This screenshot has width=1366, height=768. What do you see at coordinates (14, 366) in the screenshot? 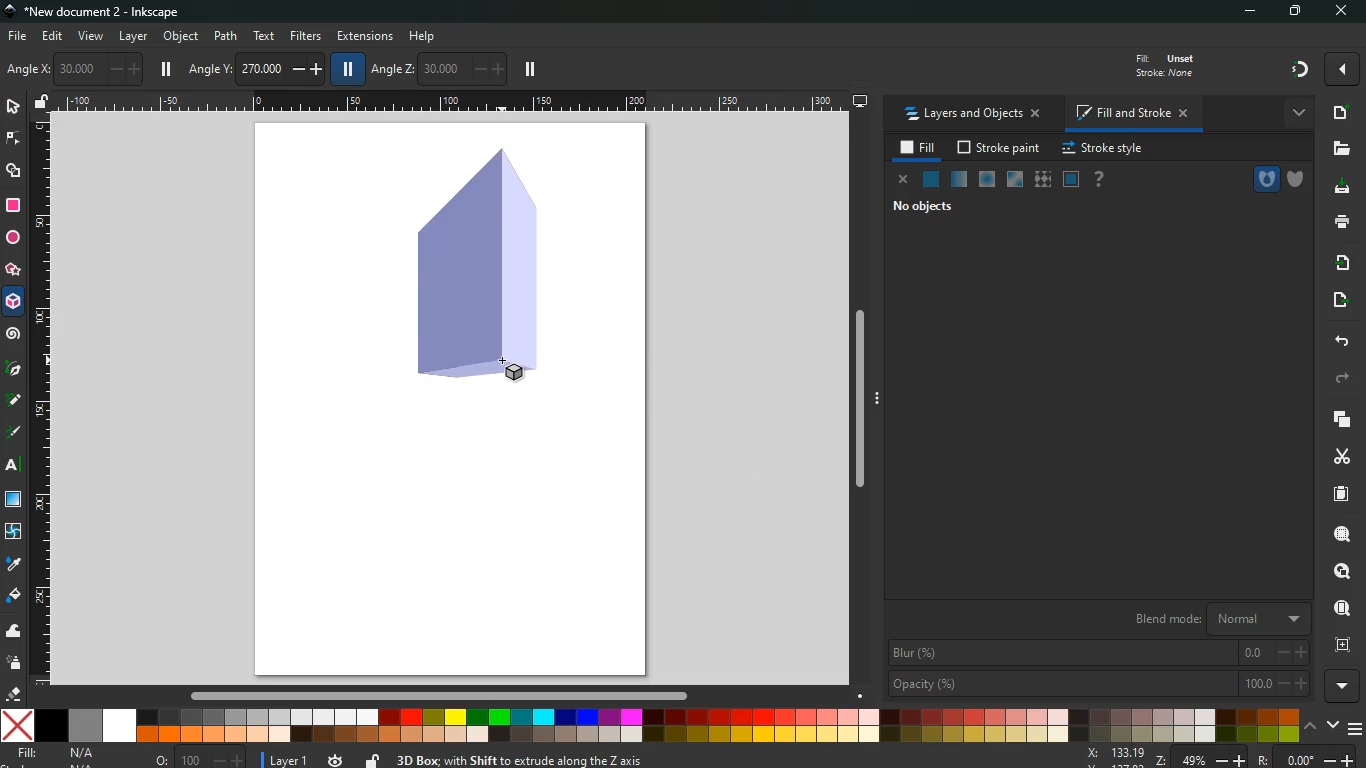
I see `Pic` at bounding box center [14, 366].